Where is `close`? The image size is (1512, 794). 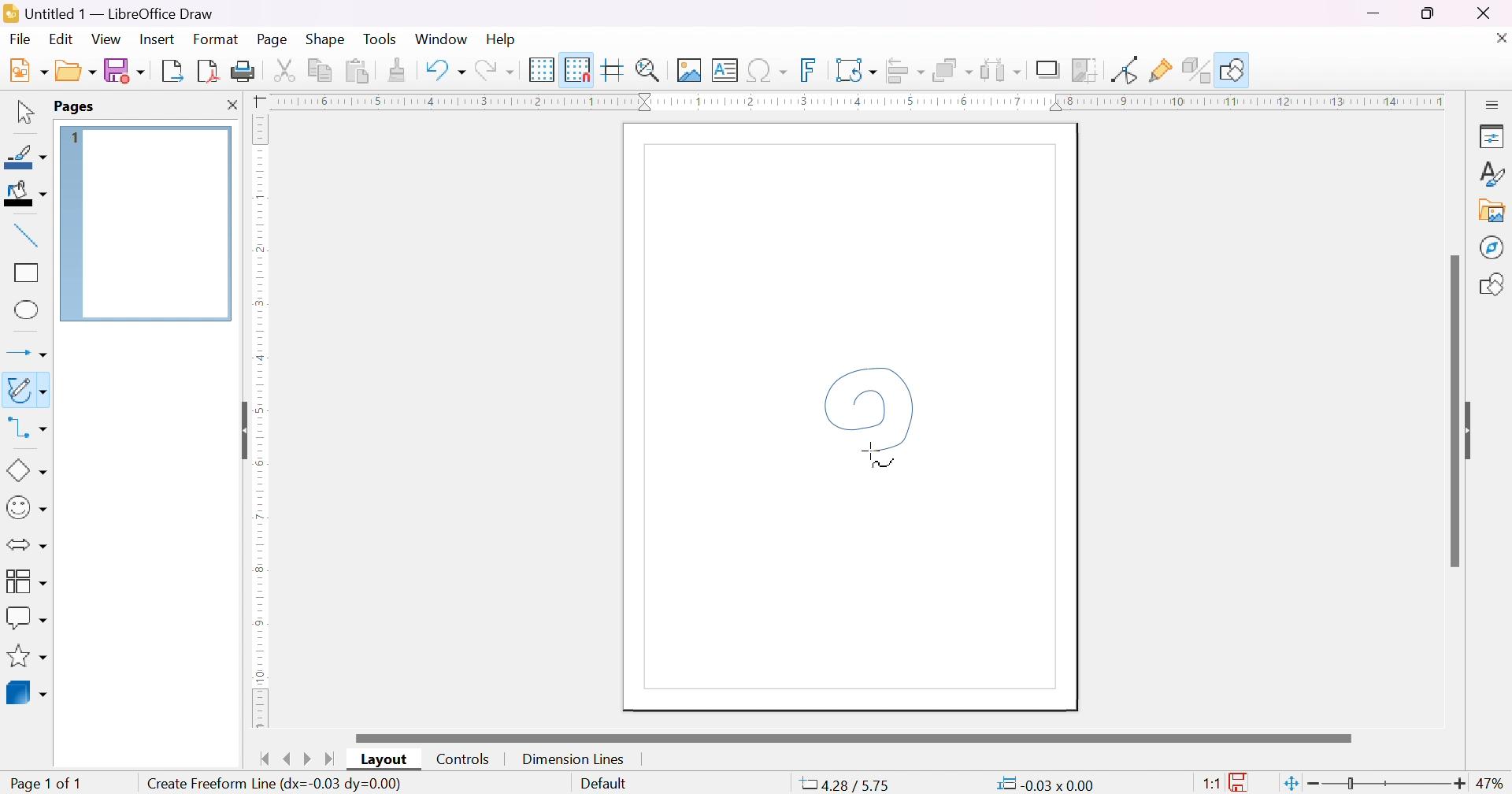 close is located at coordinates (232, 104).